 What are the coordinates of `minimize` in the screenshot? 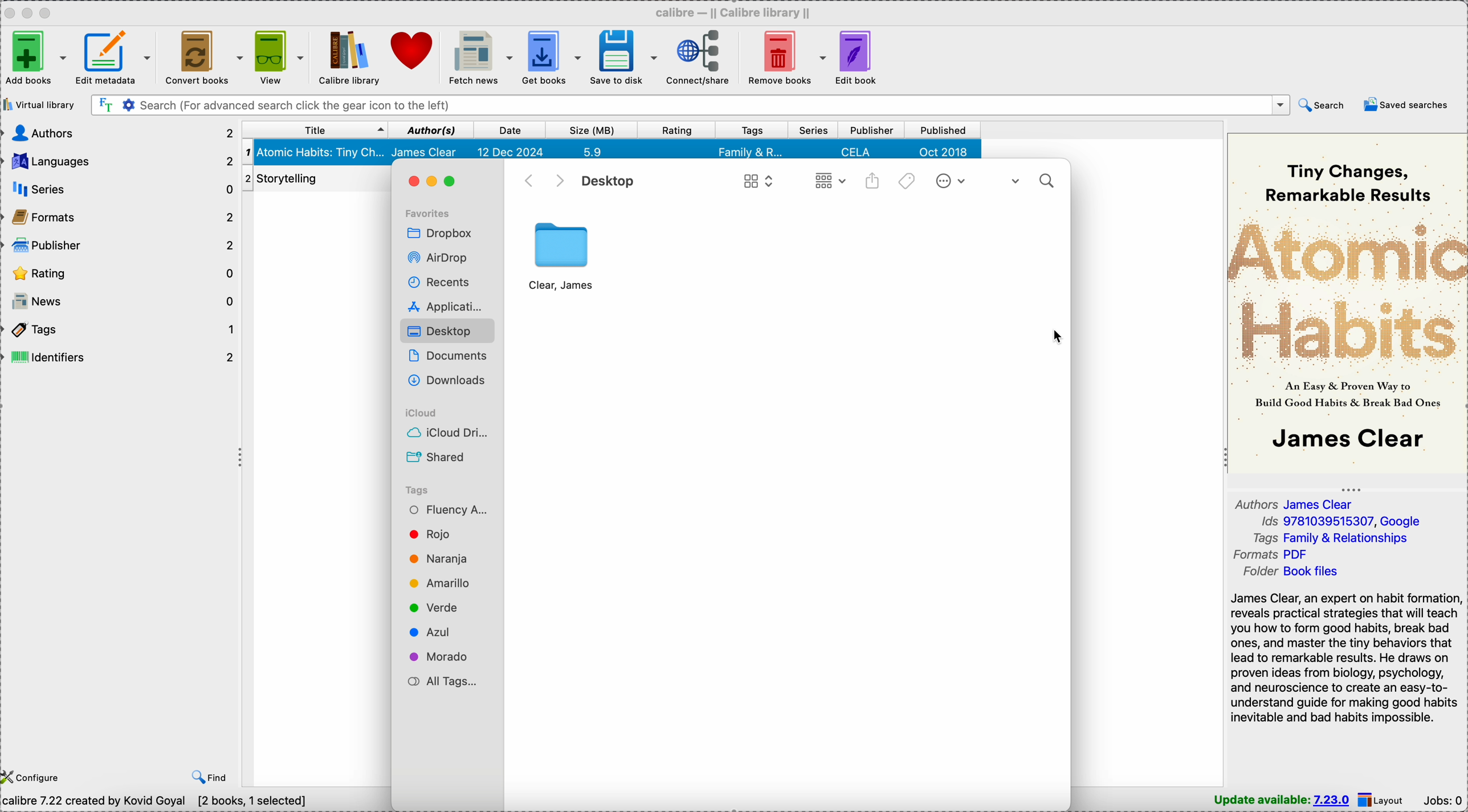 It's located at (437, 183).